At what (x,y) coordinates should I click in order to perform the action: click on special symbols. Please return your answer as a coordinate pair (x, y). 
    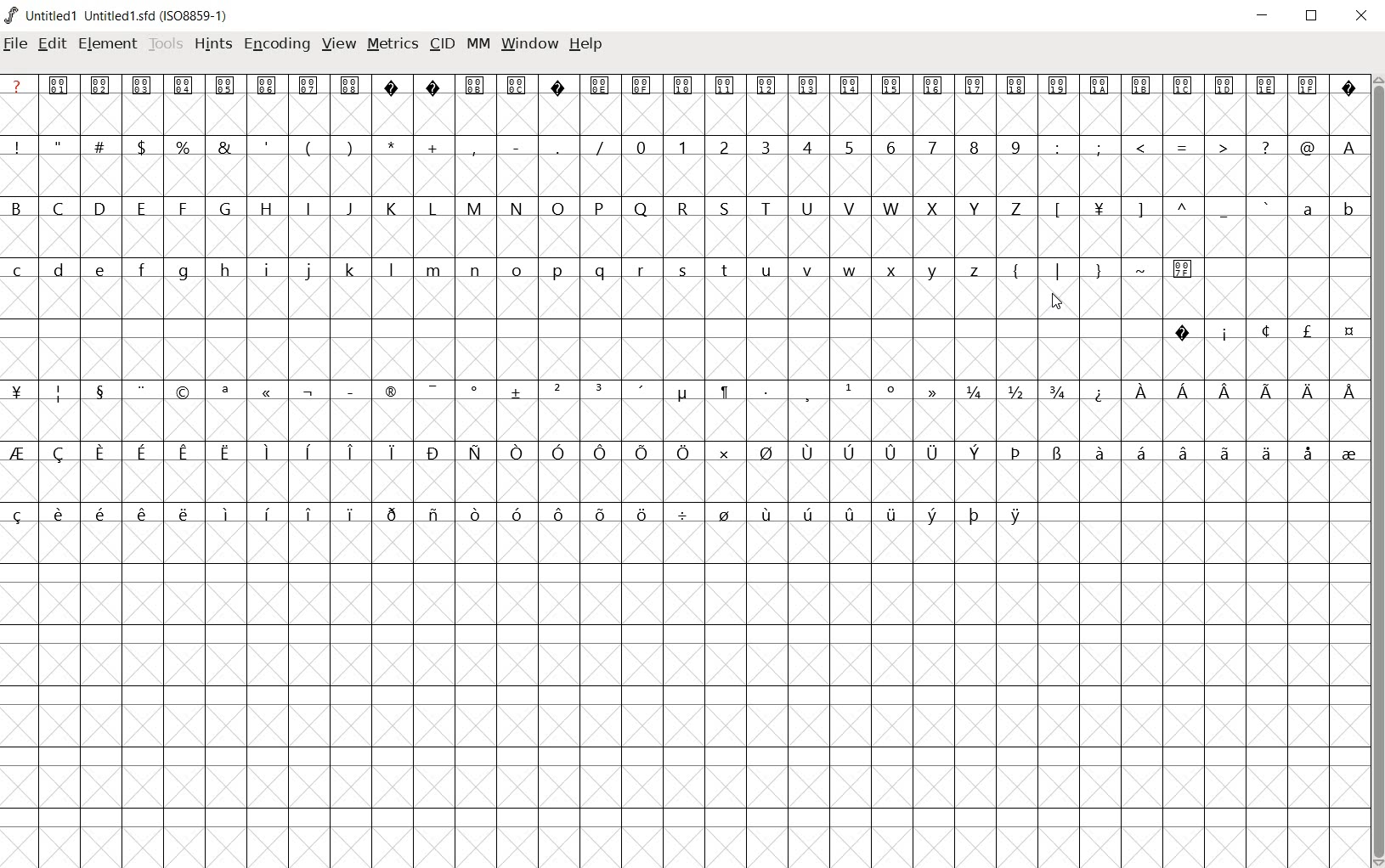
    Looking at the image, I should click on (676, 392).